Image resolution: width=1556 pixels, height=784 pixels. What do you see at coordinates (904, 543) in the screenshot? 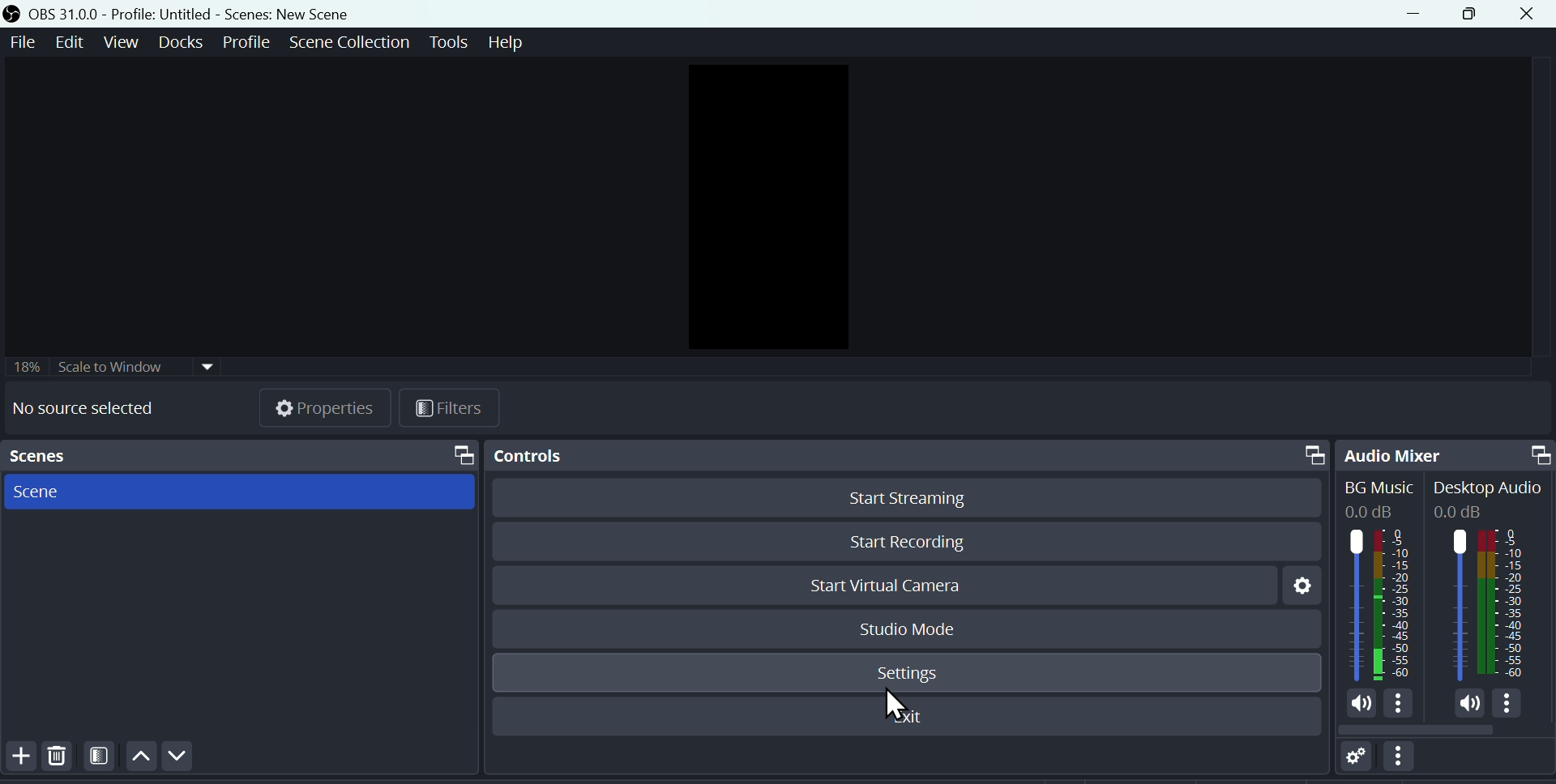
I see `Start recording` at bounding box center [904, 543].